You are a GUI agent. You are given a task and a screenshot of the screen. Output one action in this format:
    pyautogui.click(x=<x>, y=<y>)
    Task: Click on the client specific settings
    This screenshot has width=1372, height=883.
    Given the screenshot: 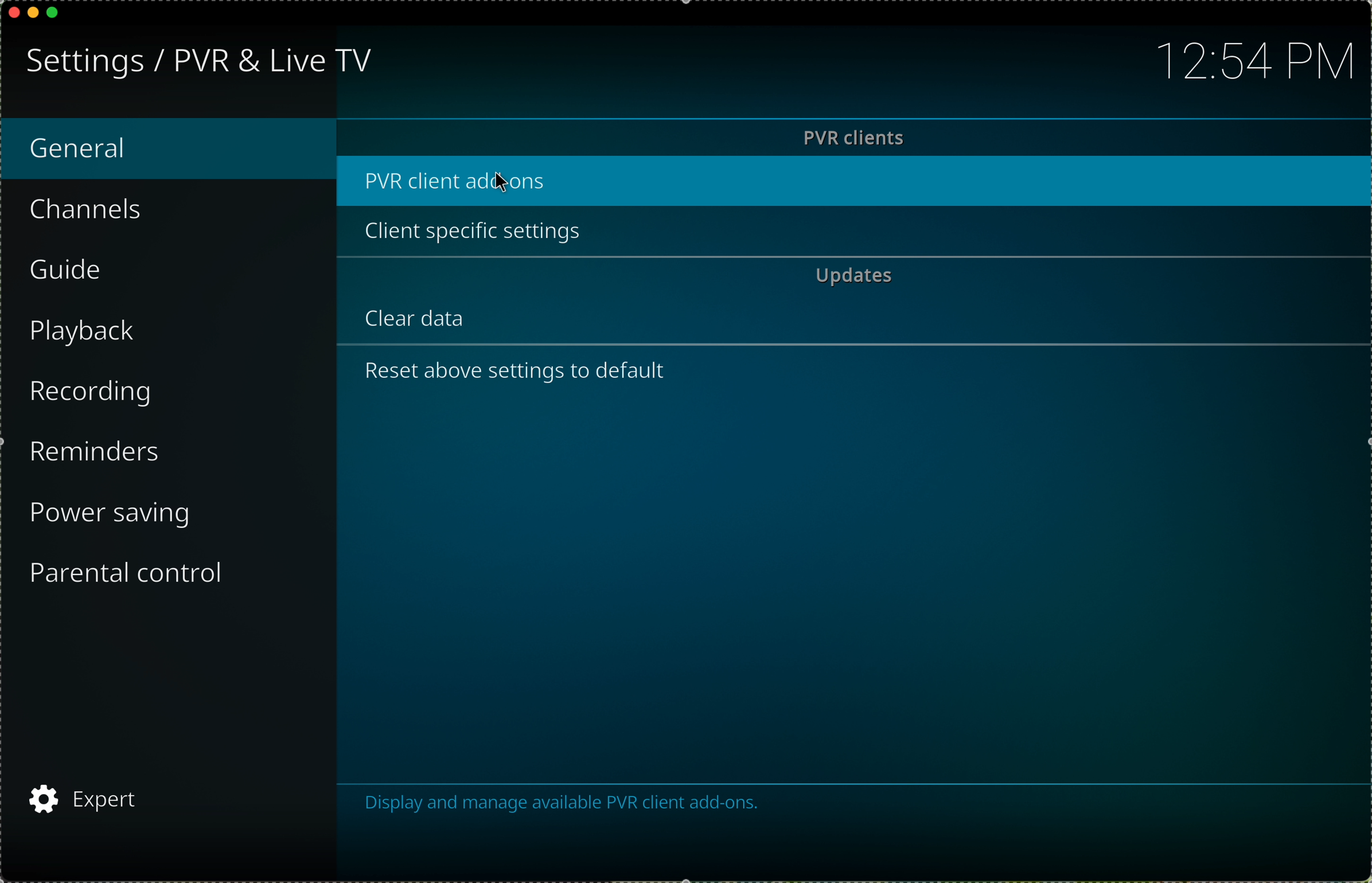 What is the action you would take?
    pyautogui.click(x=473, y=232)
    